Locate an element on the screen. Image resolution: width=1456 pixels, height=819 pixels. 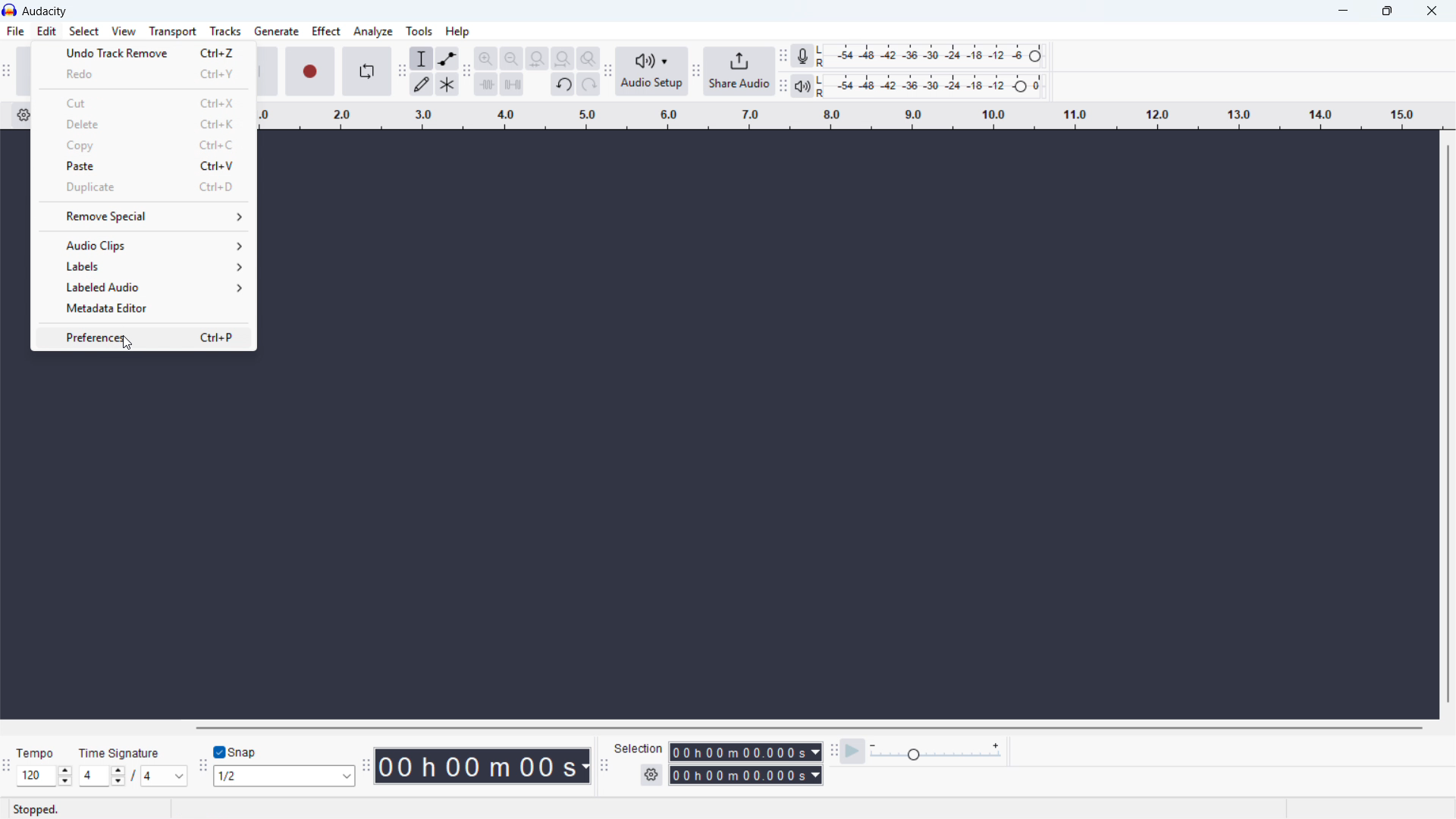
labeled audio is located at coordinates (143, 287).